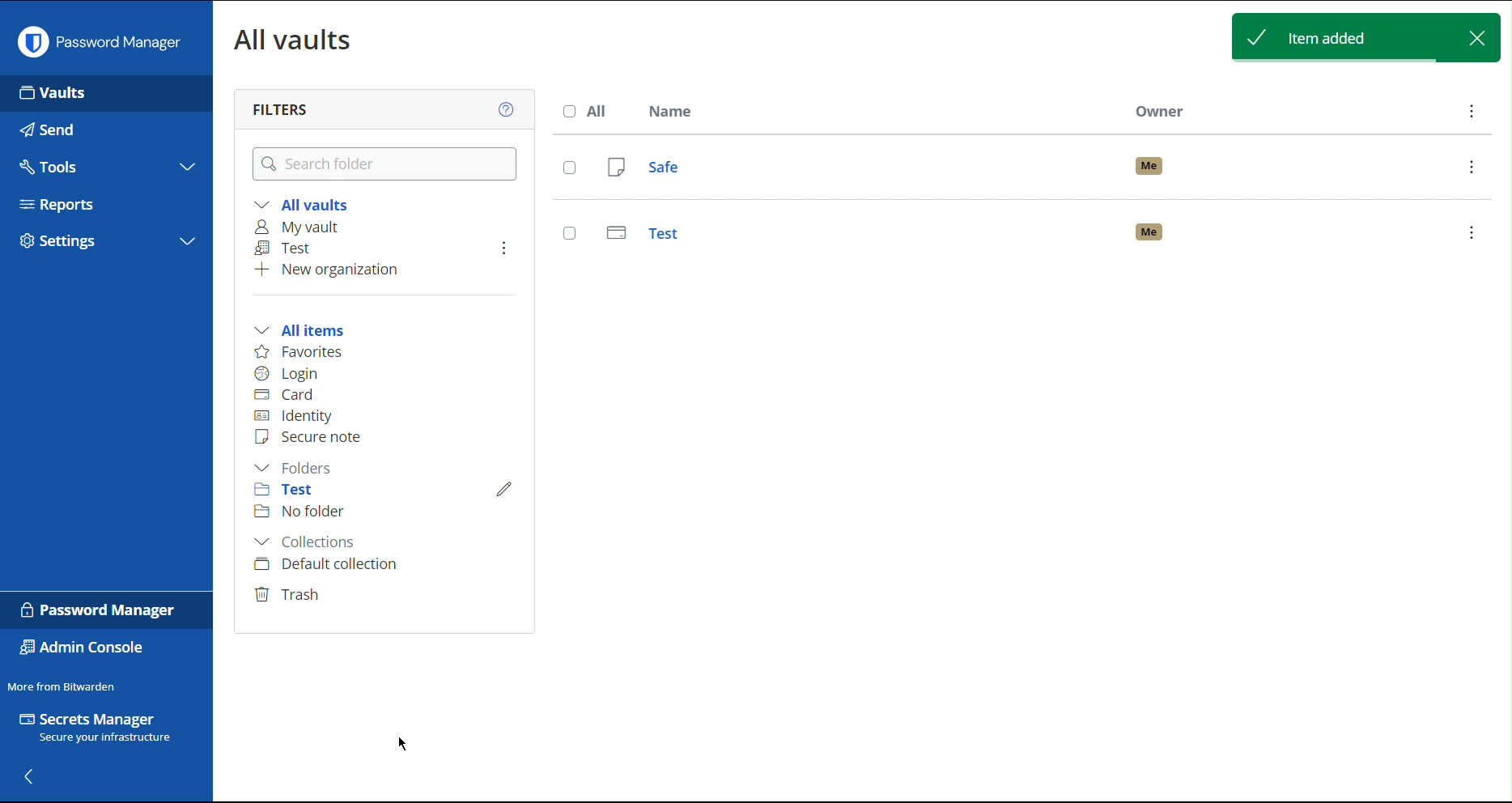 The width and height of the screenshot is (1512, 803). Describe the element at coordinates (303, 468) in the screenshot. I see `Folders` at that location.